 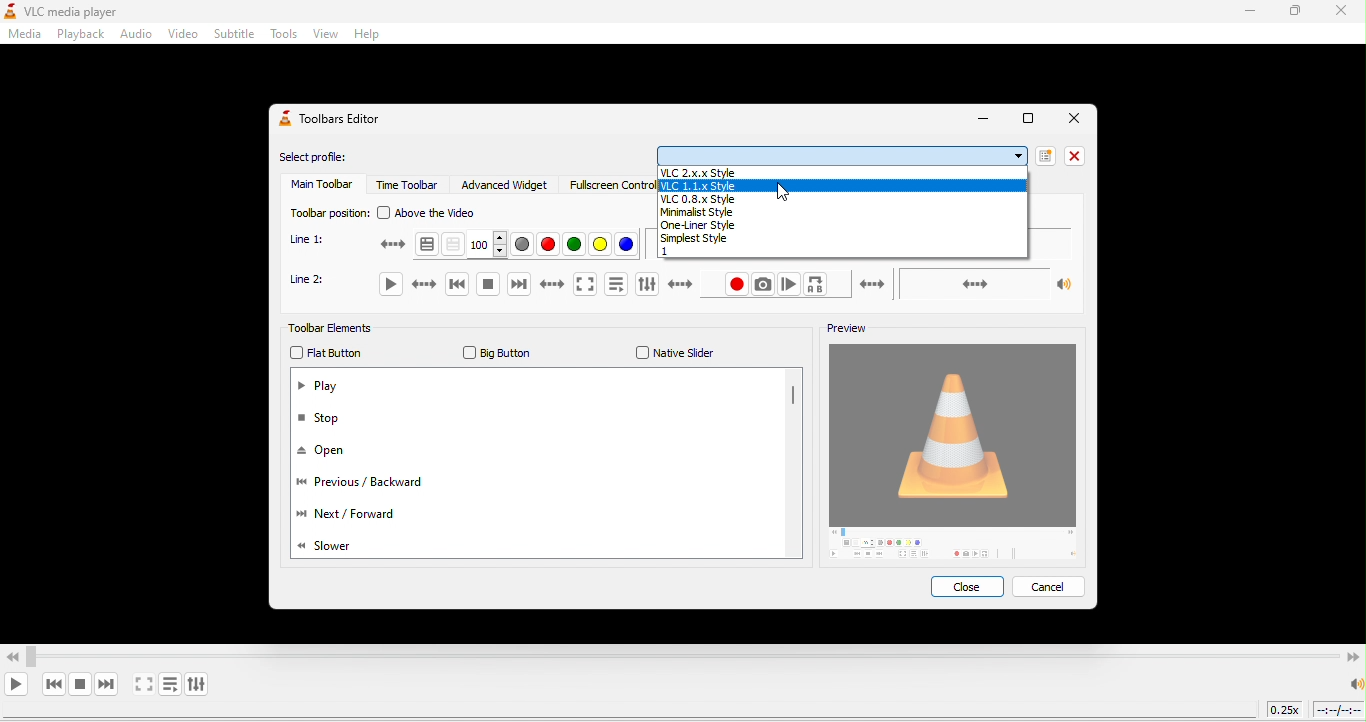 What do you see at coordinates (845, 212) in the screenshot?
I see `minimal style` at bounding box center [845, 212].